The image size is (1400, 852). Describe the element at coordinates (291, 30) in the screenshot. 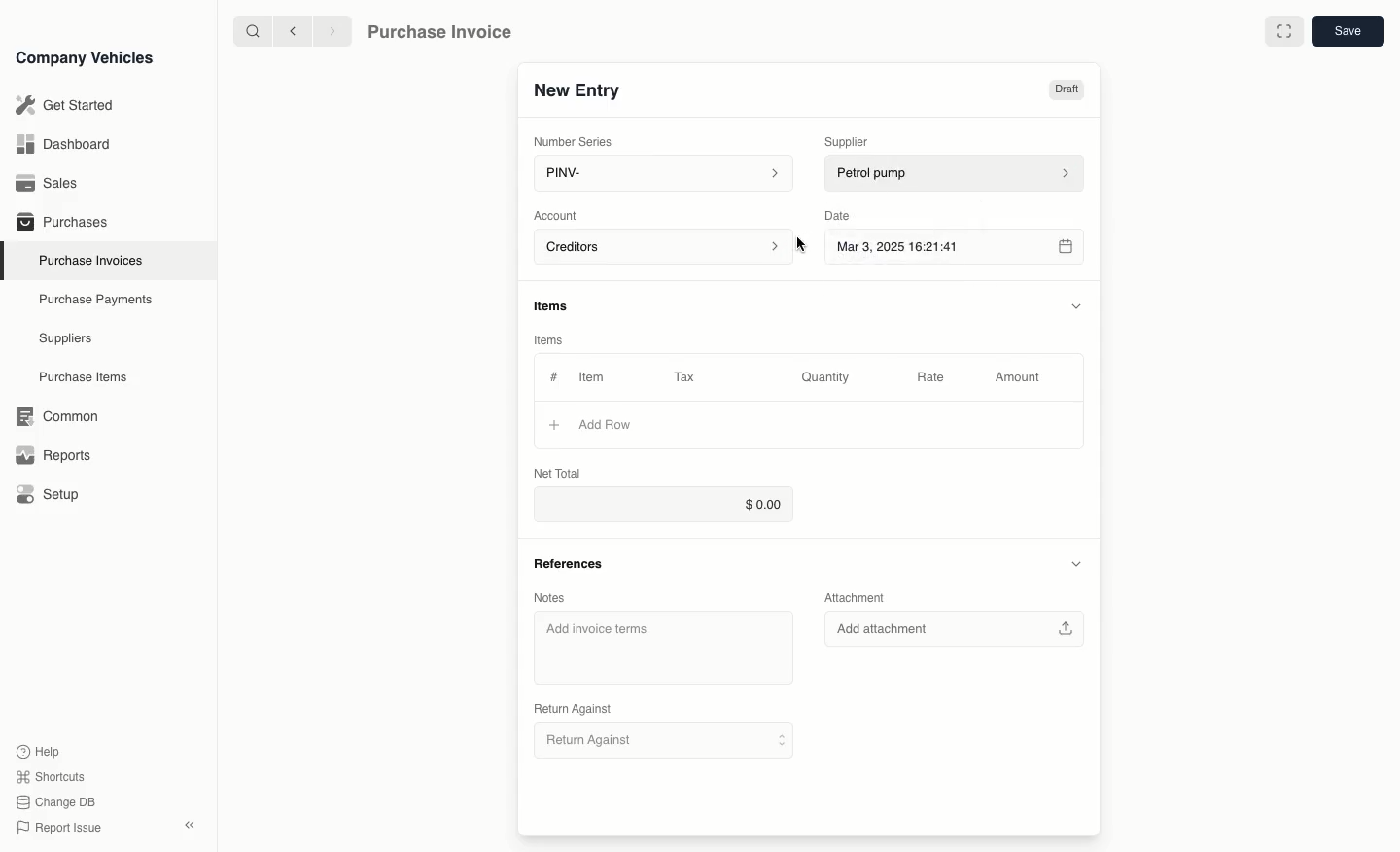

I see `previous` at that location.